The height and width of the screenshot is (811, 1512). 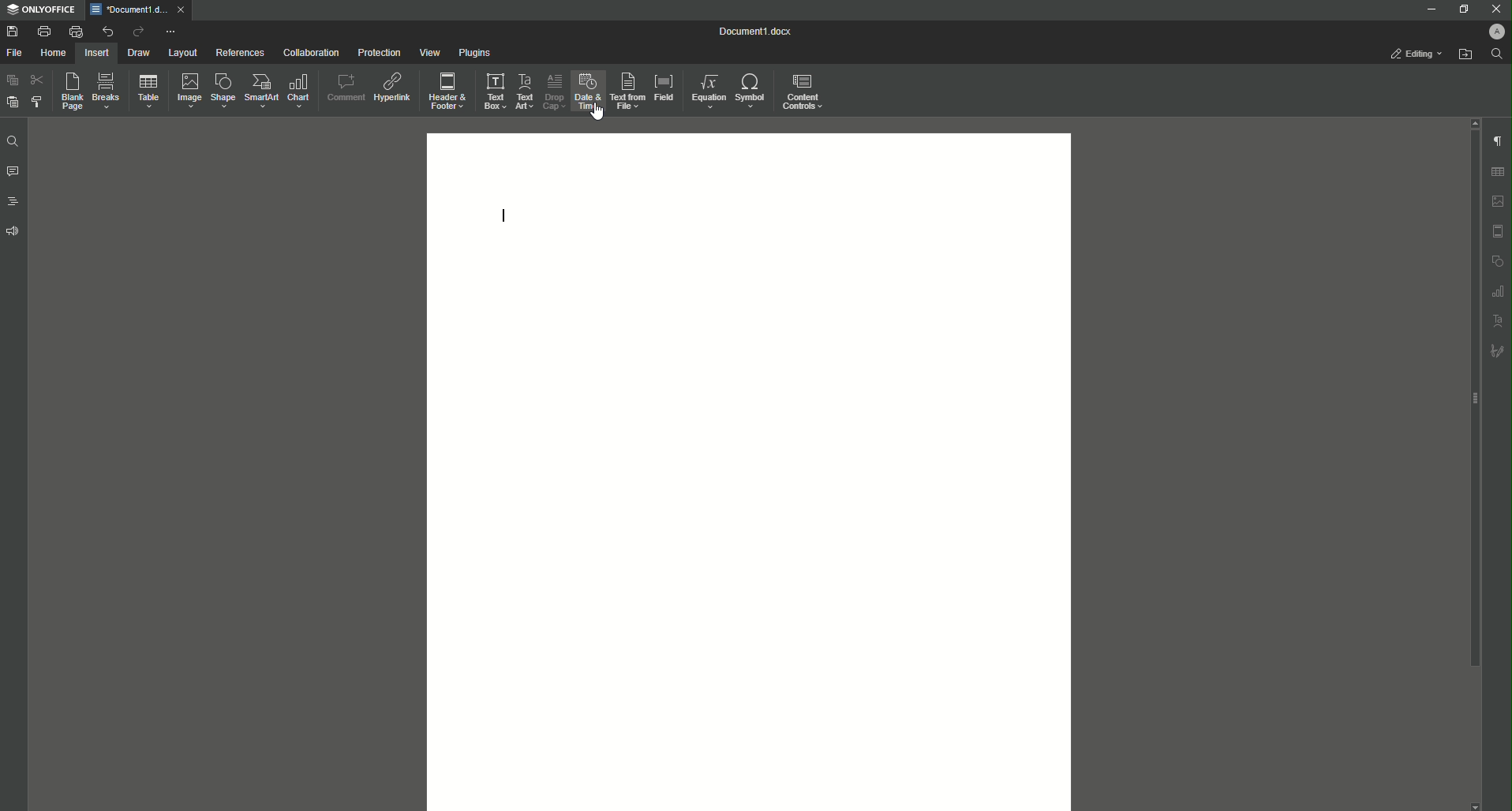 What do you see at coordinates (1472, 399) in the screenshot?
I see `scroll bar` at bounding box center [1472, 399].